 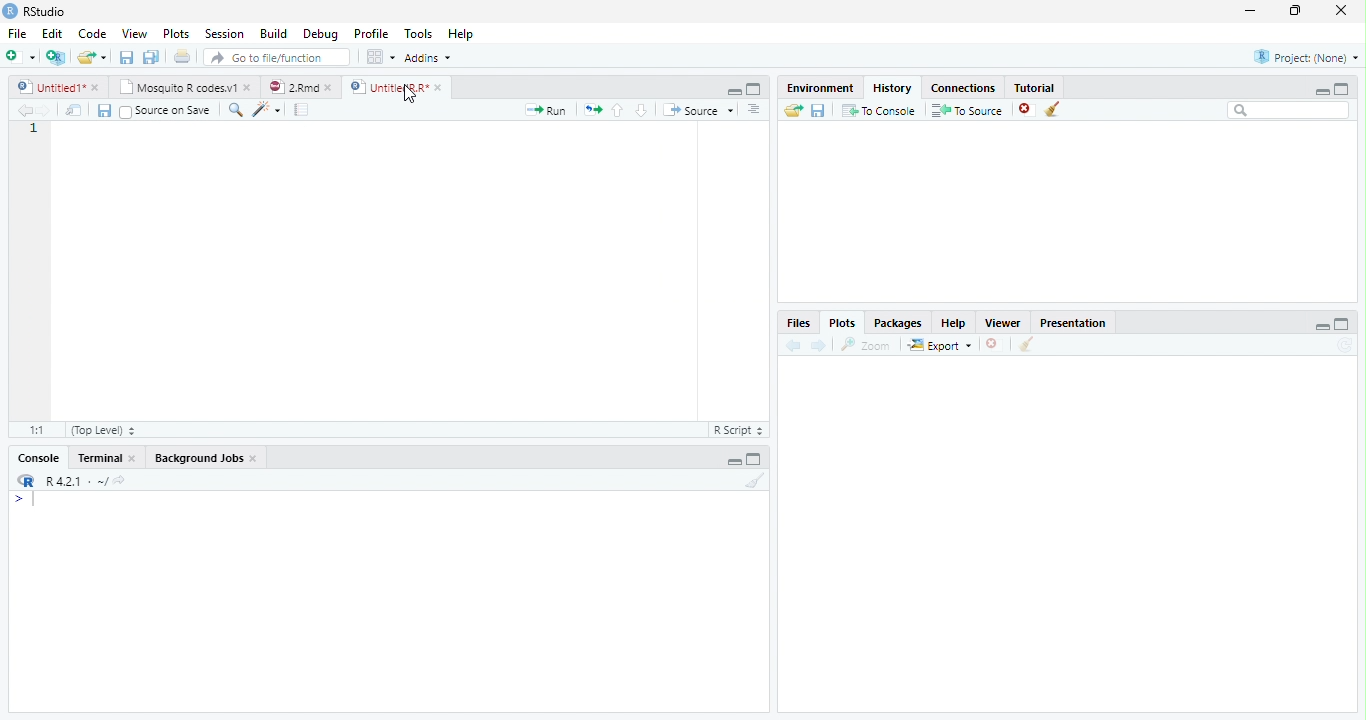 What do you see at coordinates (733, 462) in the screenshot?
I see `Minimize` at bounding box center [733, 462].